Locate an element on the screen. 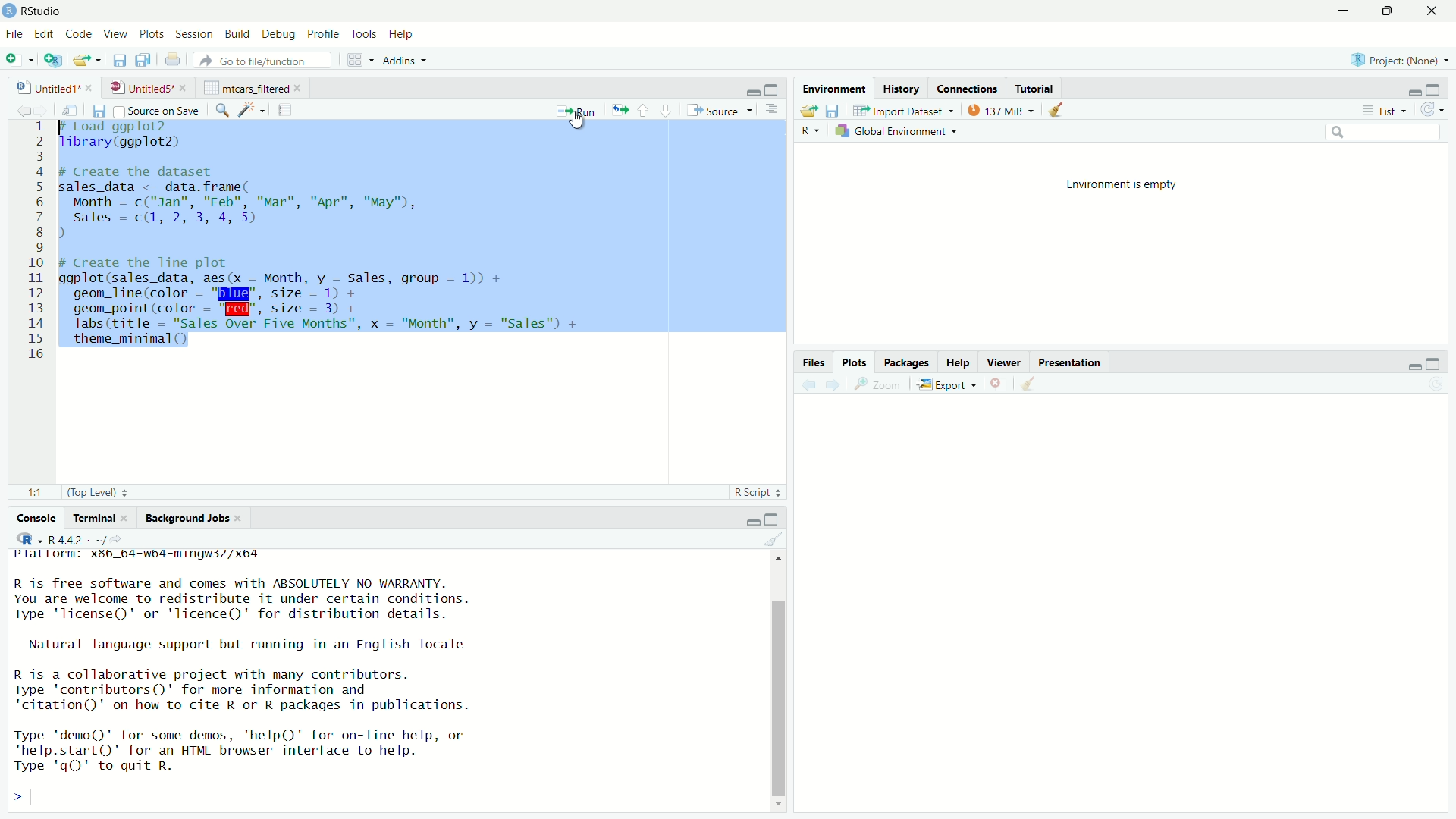  Zoom is located at coordinates (882, 384).